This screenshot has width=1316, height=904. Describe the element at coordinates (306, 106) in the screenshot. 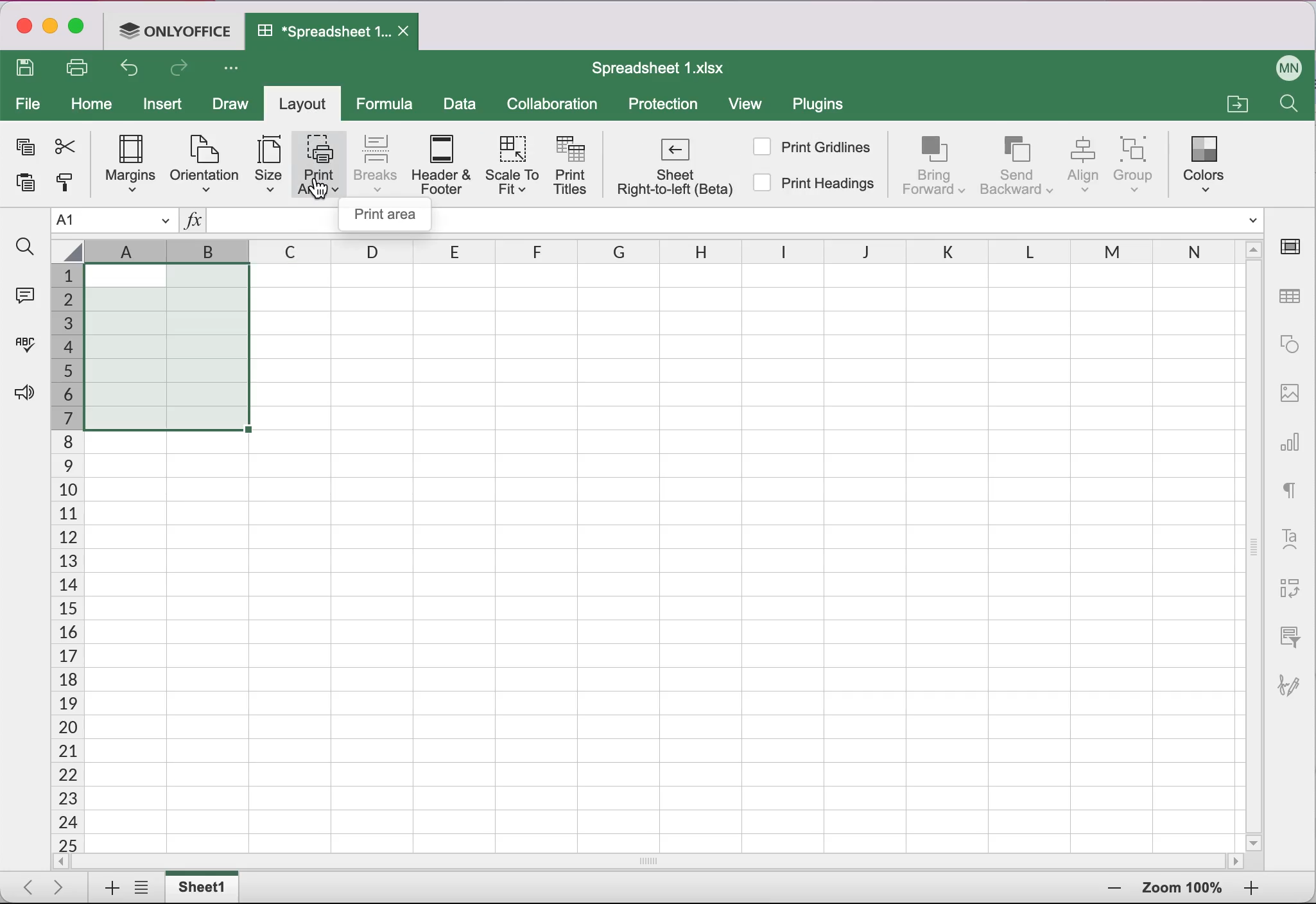

I see `layout` at that location.